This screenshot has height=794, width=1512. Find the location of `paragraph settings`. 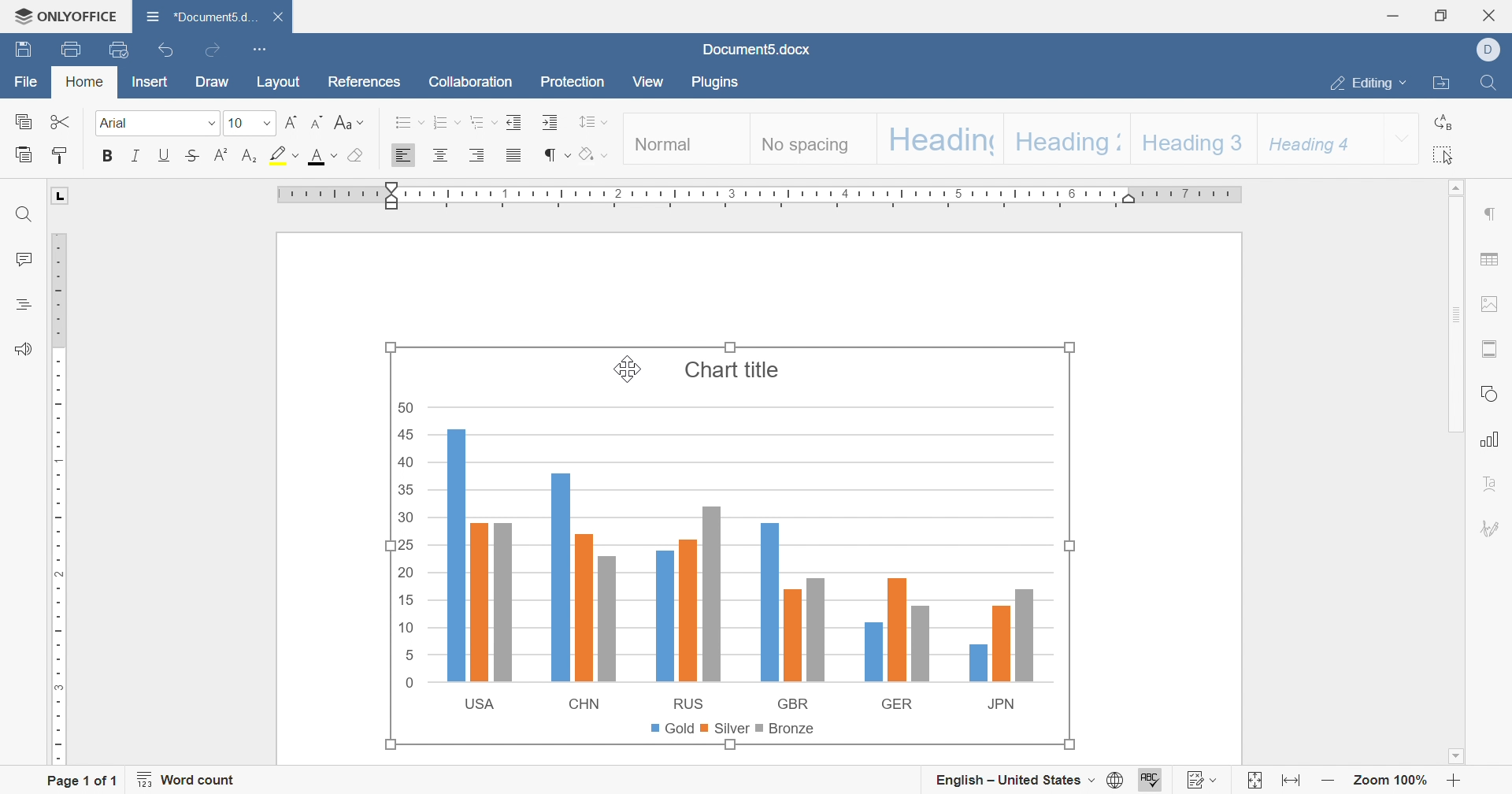

paragraph settings is located at coordinates (1489, 213).